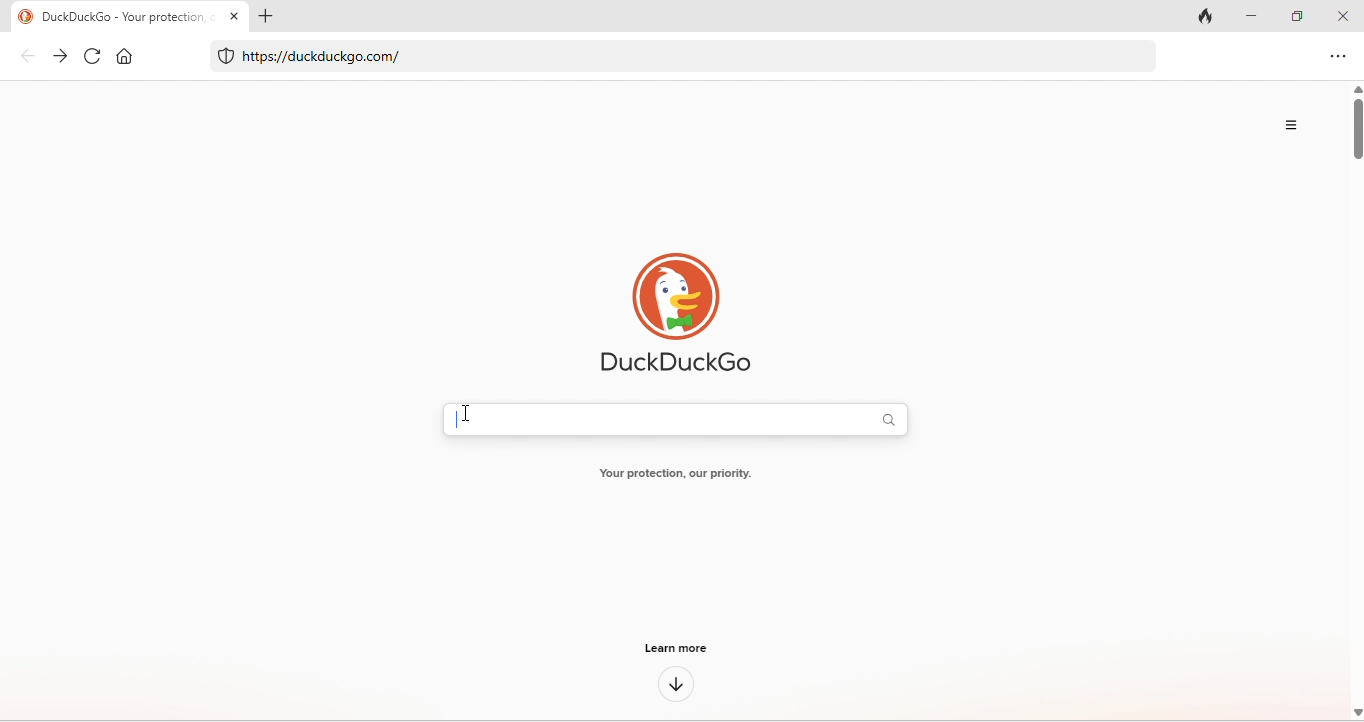  What do you see at coordinates (886, 420) in the screenshot?
I see `search` at bounding box center [886, 420].